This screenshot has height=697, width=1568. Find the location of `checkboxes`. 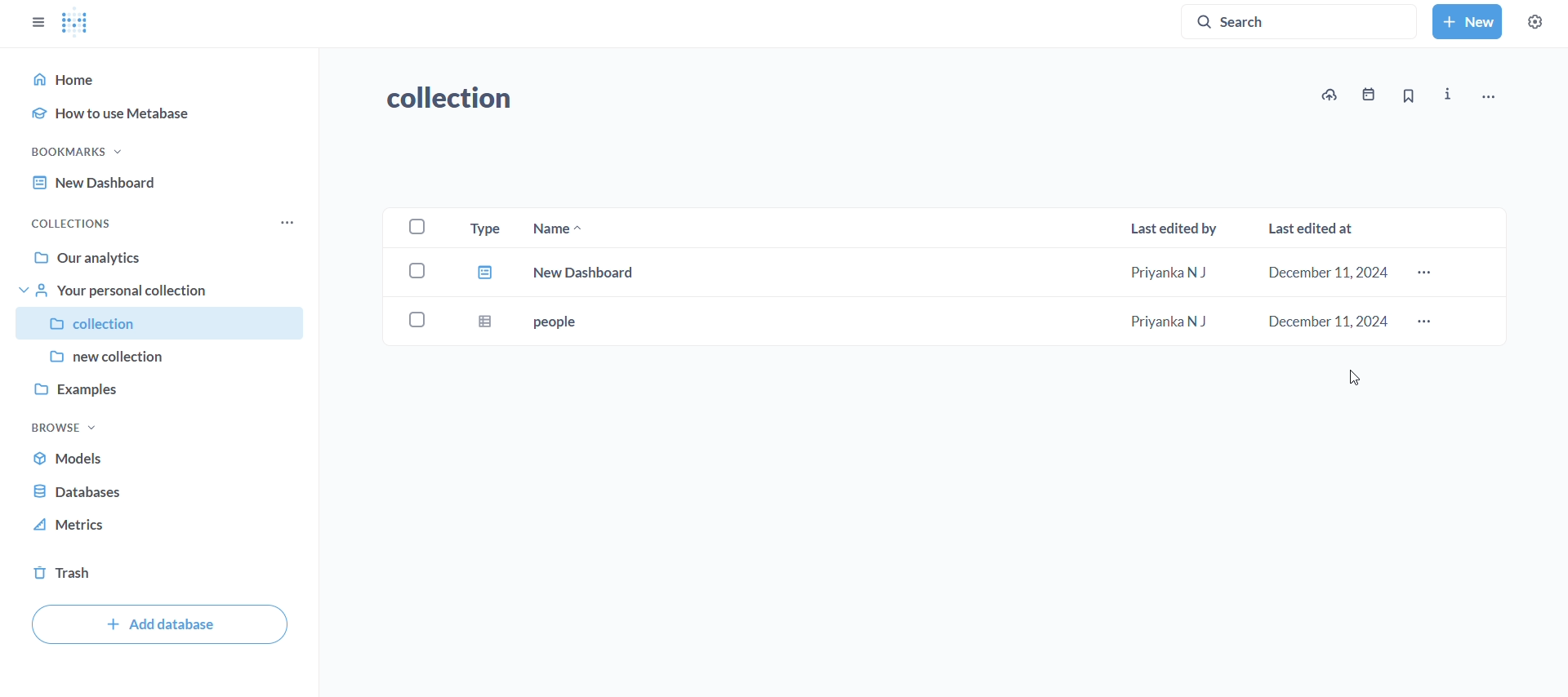

checkboxes is located at coordinates (416, 277).